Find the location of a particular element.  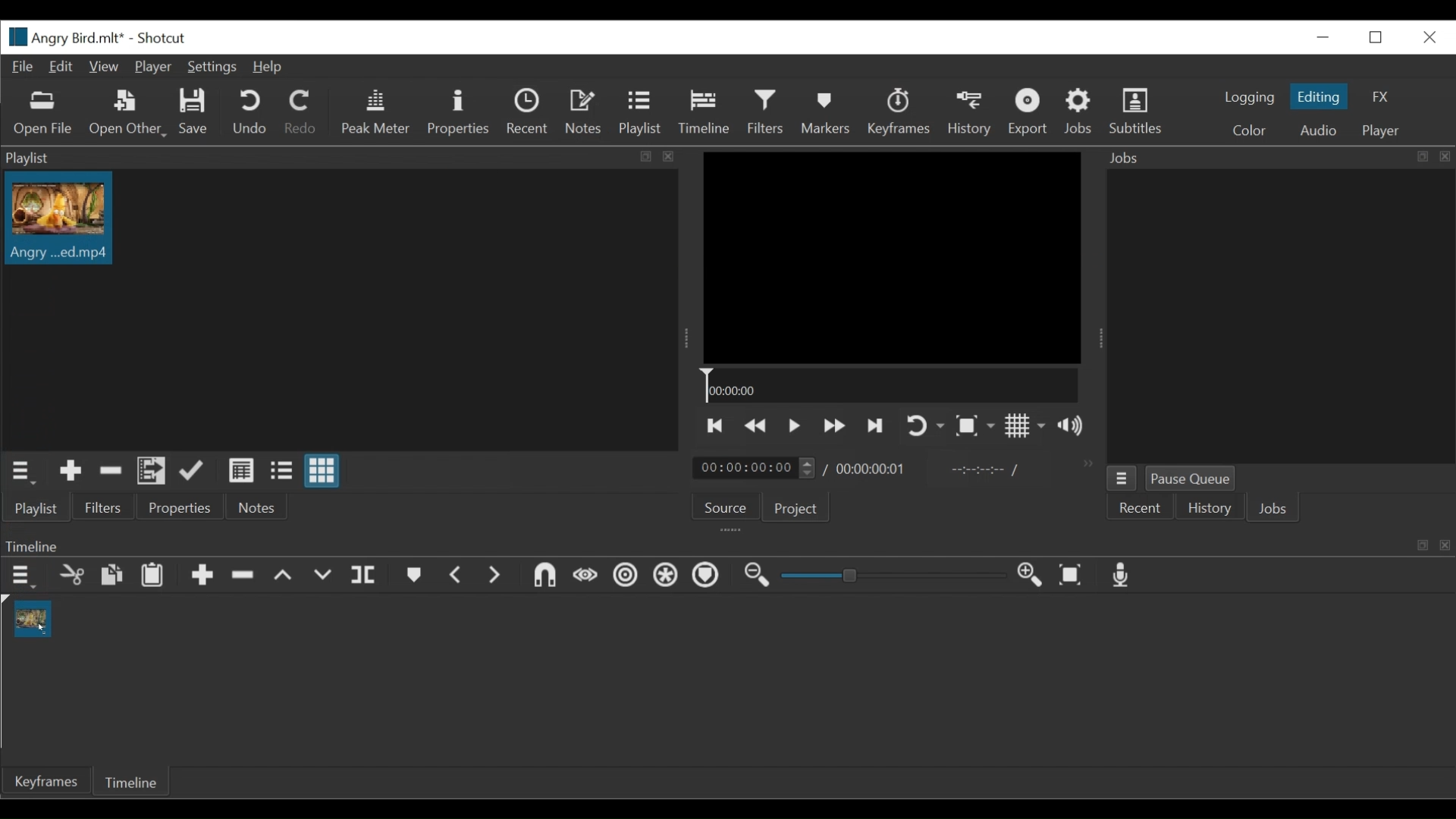

Timeline is located at coordinates (890, 384).